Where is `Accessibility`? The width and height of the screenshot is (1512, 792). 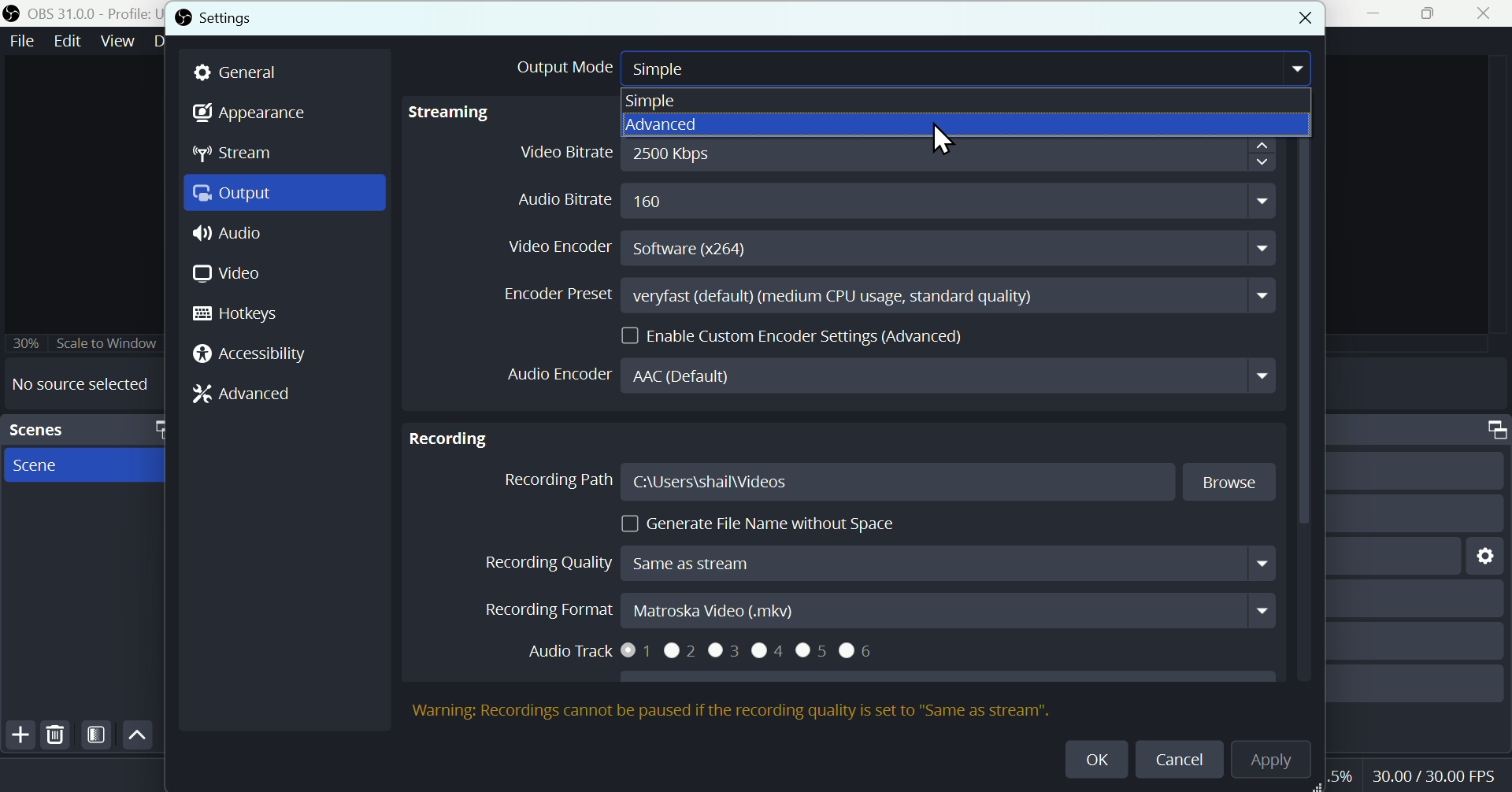
Accessibility is located at coordinates (250, 356).